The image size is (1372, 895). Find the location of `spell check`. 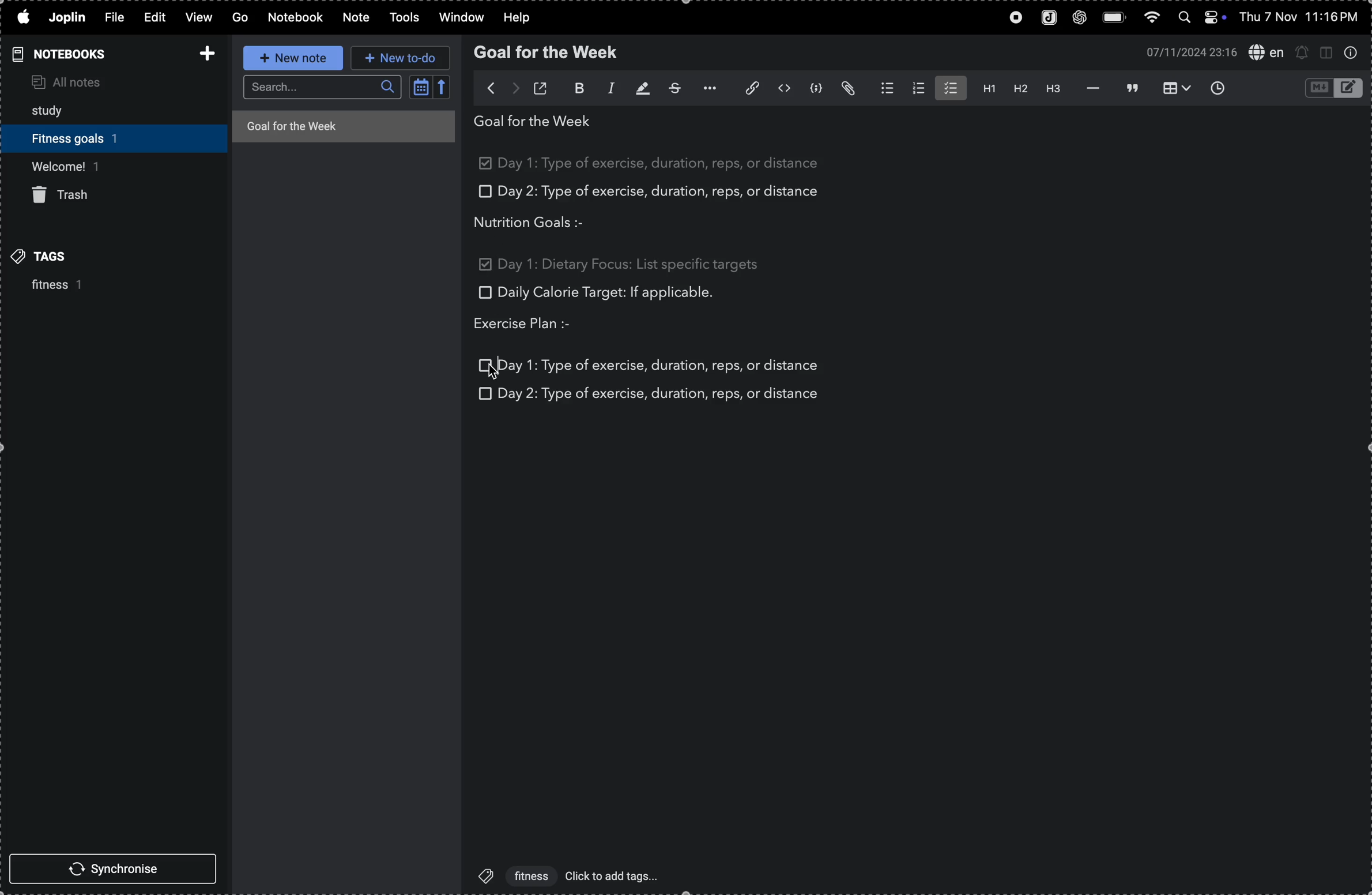

spell check is located at coordinates (1264, 53).